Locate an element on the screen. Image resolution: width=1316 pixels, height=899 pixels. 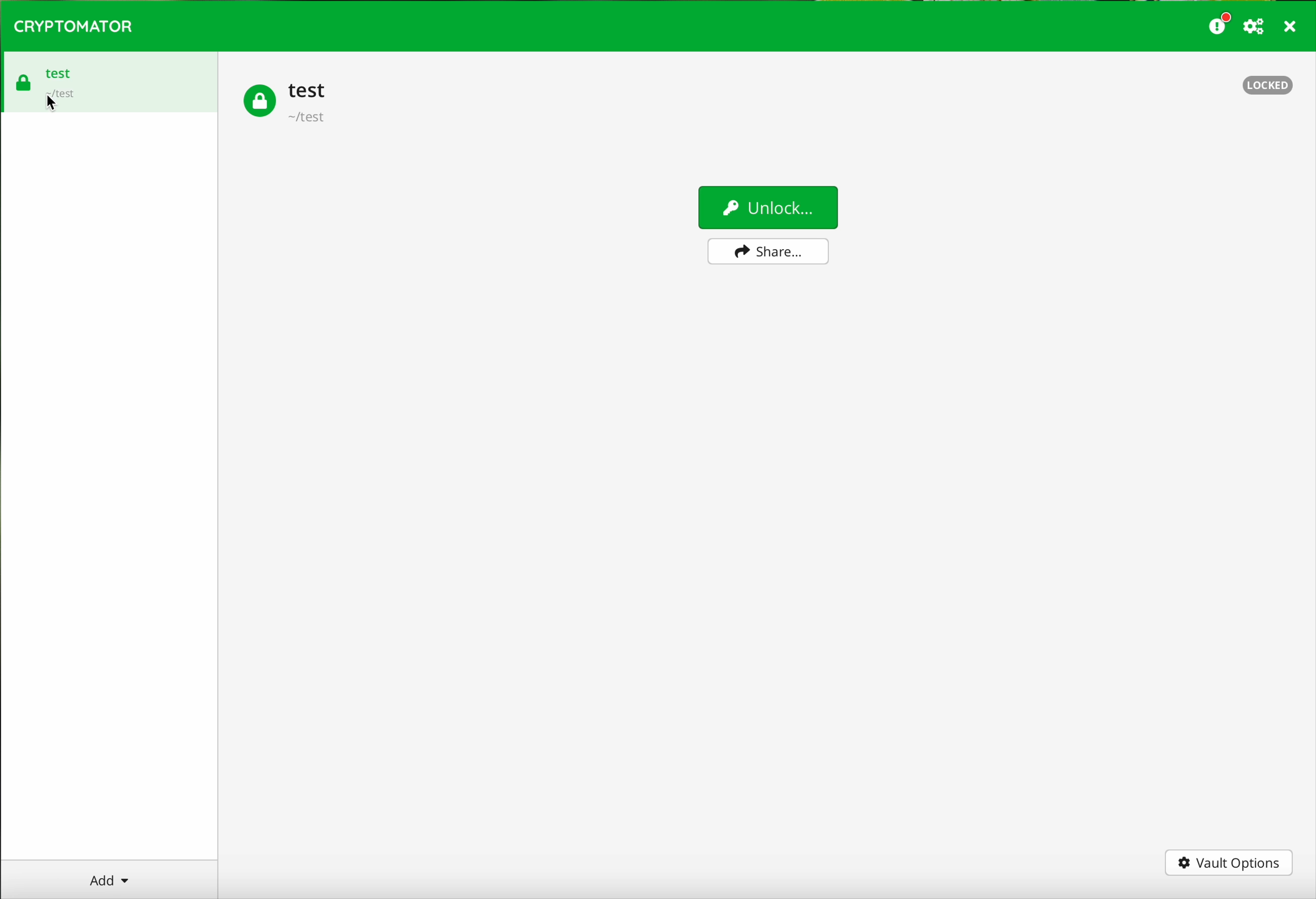
locked is located at coordinates (1268, 86).